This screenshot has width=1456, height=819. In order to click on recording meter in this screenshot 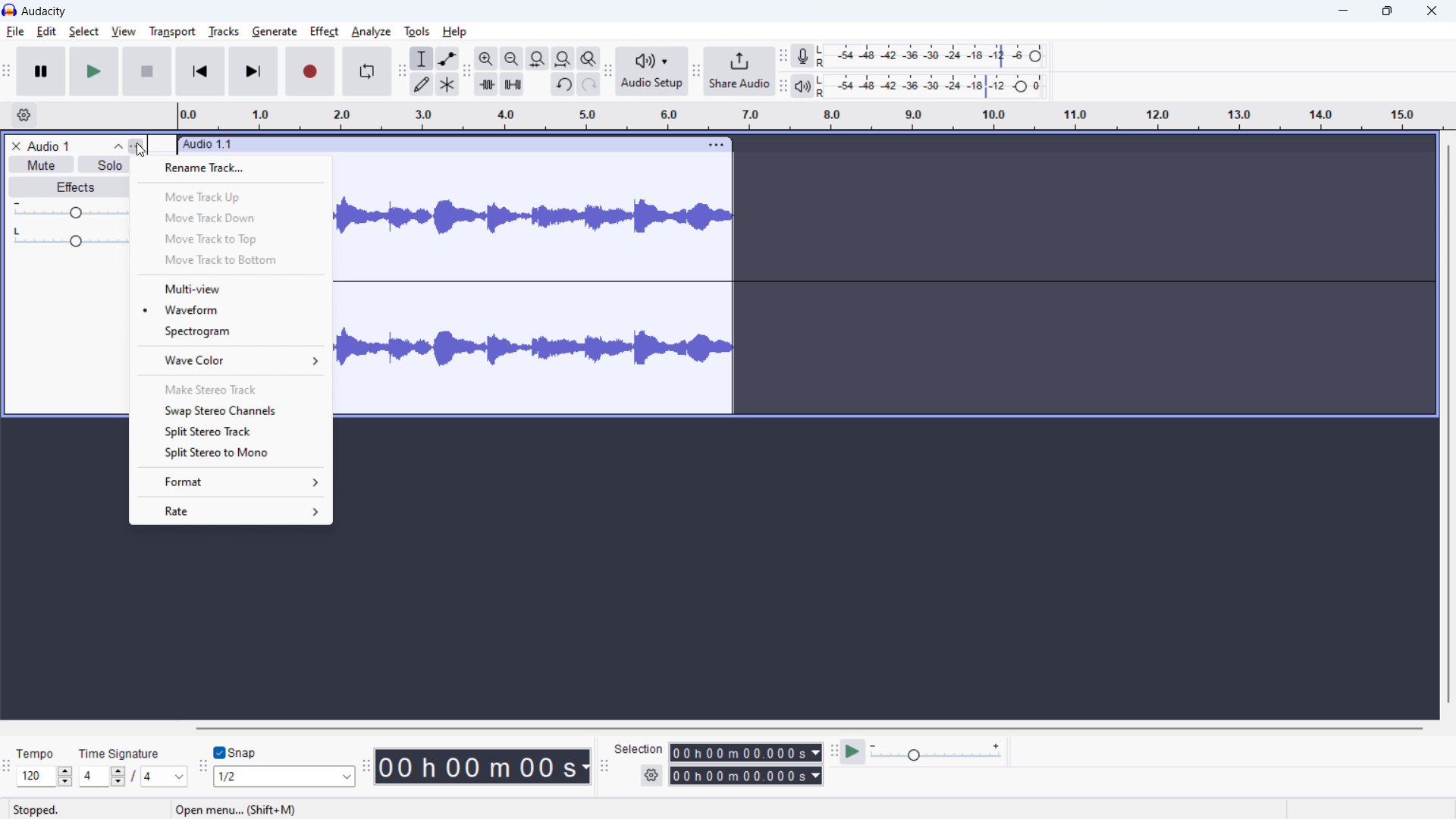, I will do `click(805, 55)`.